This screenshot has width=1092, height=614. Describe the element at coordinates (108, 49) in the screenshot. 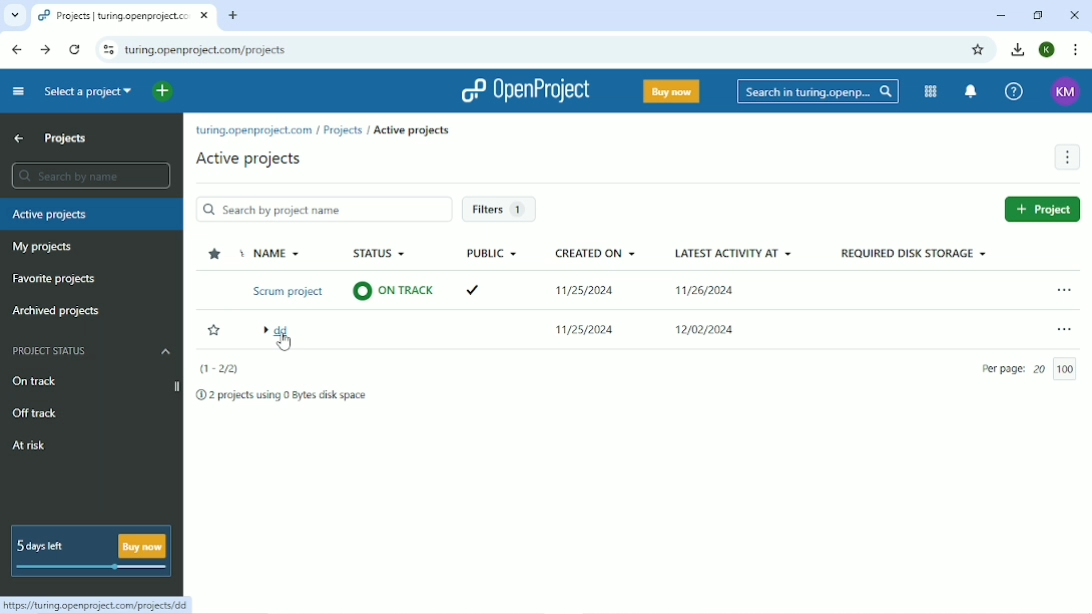

I see `View site information` at that location.